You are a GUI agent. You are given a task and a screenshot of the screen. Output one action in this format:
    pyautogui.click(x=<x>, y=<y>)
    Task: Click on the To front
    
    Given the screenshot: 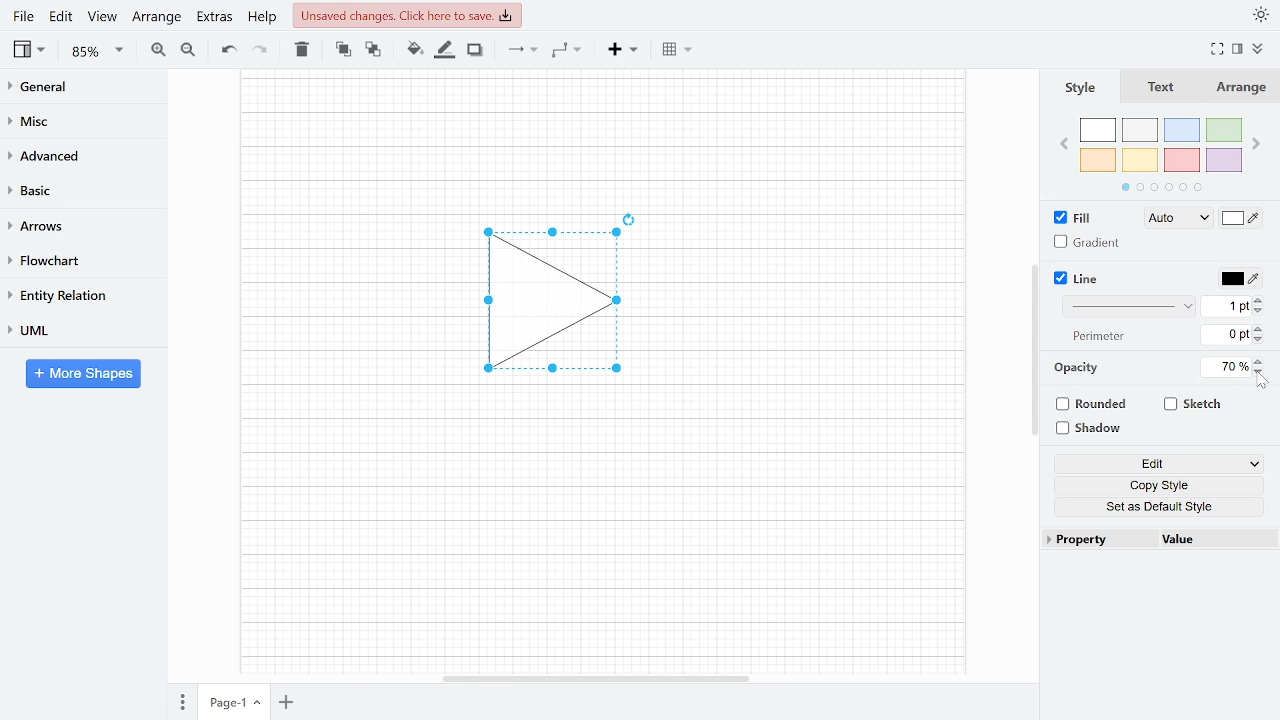 What is the action you would take?
    pyautogui.click(x=343, y=49)
    